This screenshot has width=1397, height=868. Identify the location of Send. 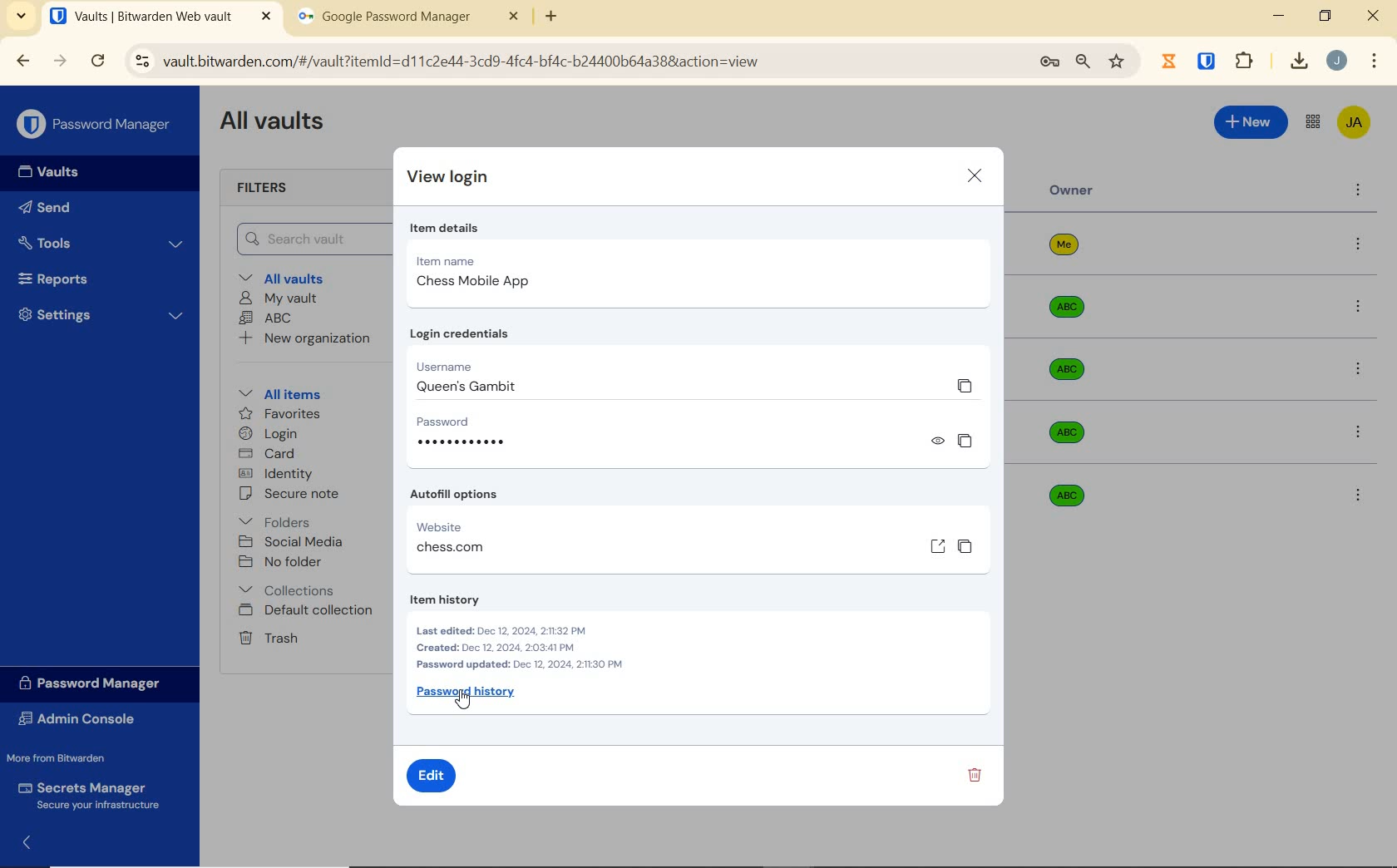
(55, 207).